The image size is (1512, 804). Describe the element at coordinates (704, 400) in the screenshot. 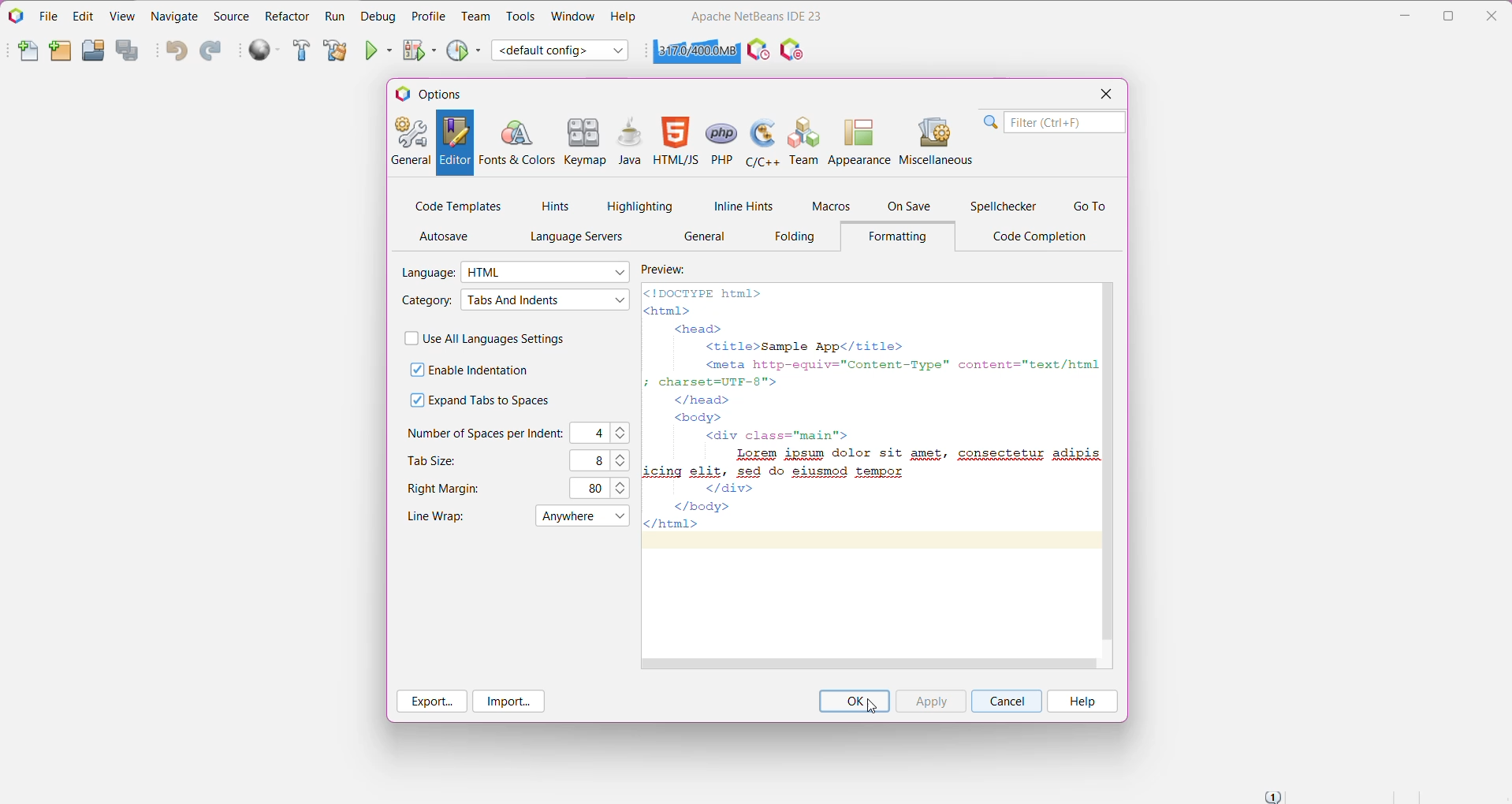

I see `</head>` at that location.